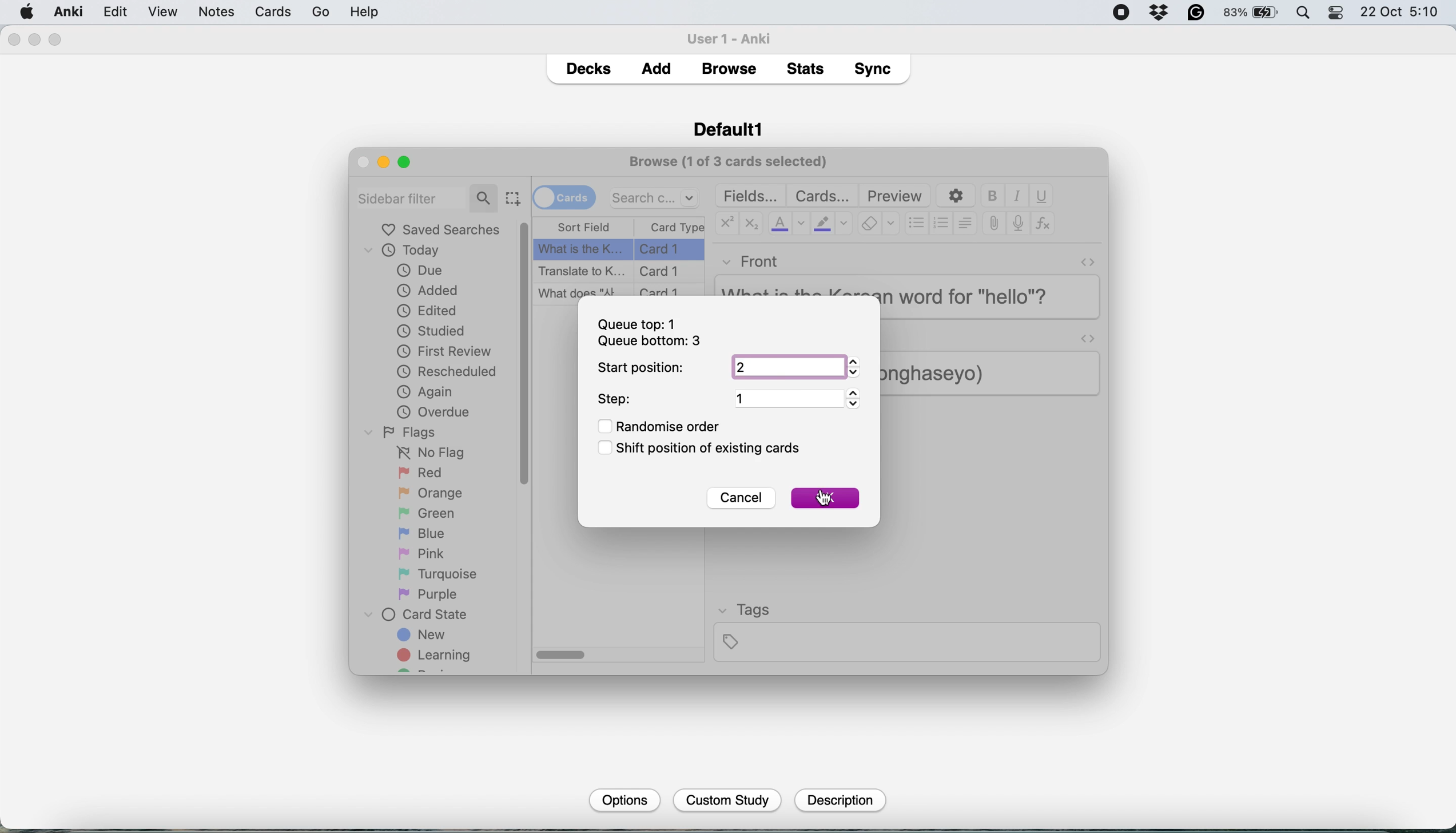 The image size is (1456, 833). I want to click on file, so click(114, 12).